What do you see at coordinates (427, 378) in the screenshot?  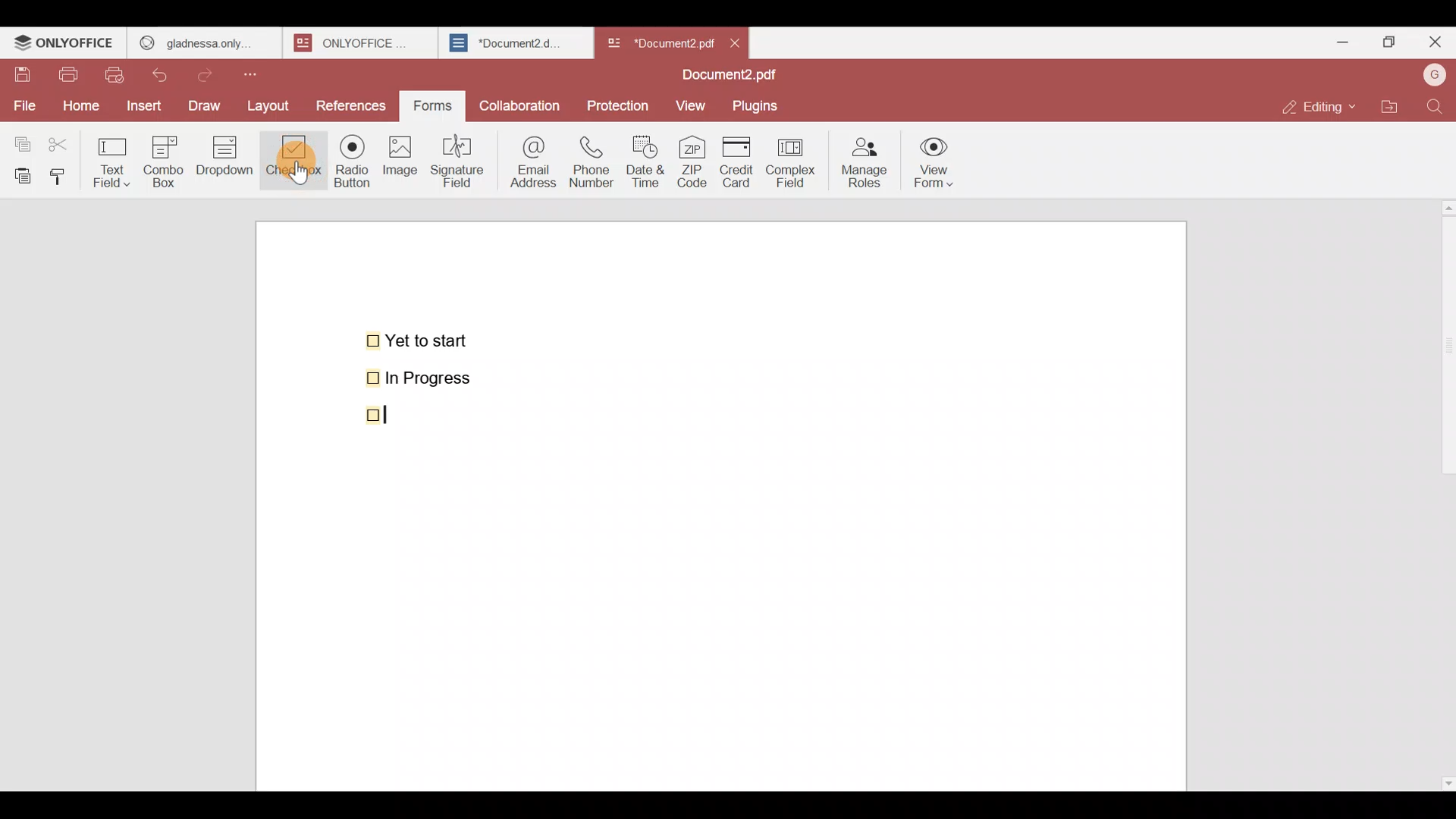 I see `In Progress` at bounding box center [427, 378].